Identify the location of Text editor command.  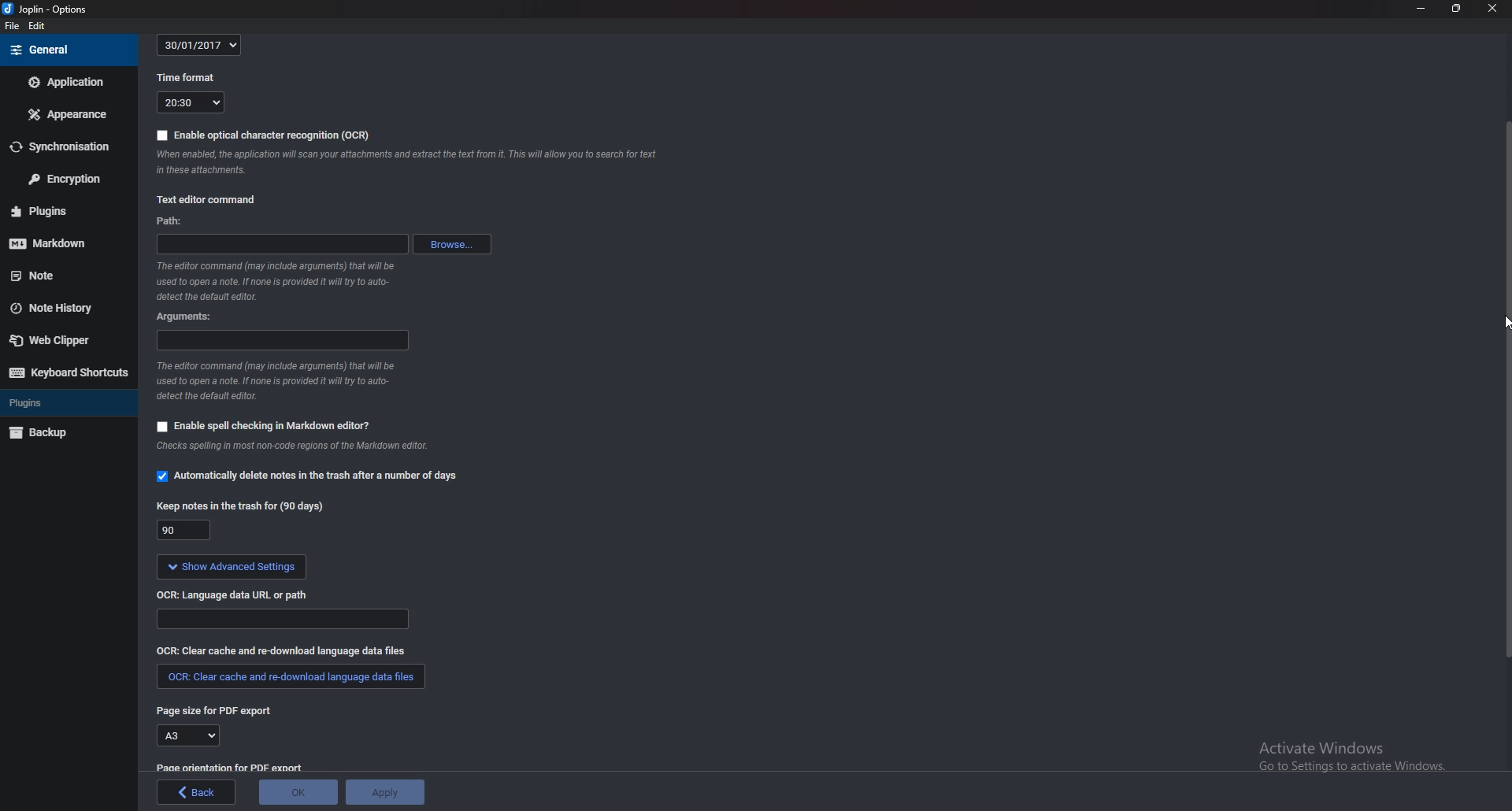
(208, 200).